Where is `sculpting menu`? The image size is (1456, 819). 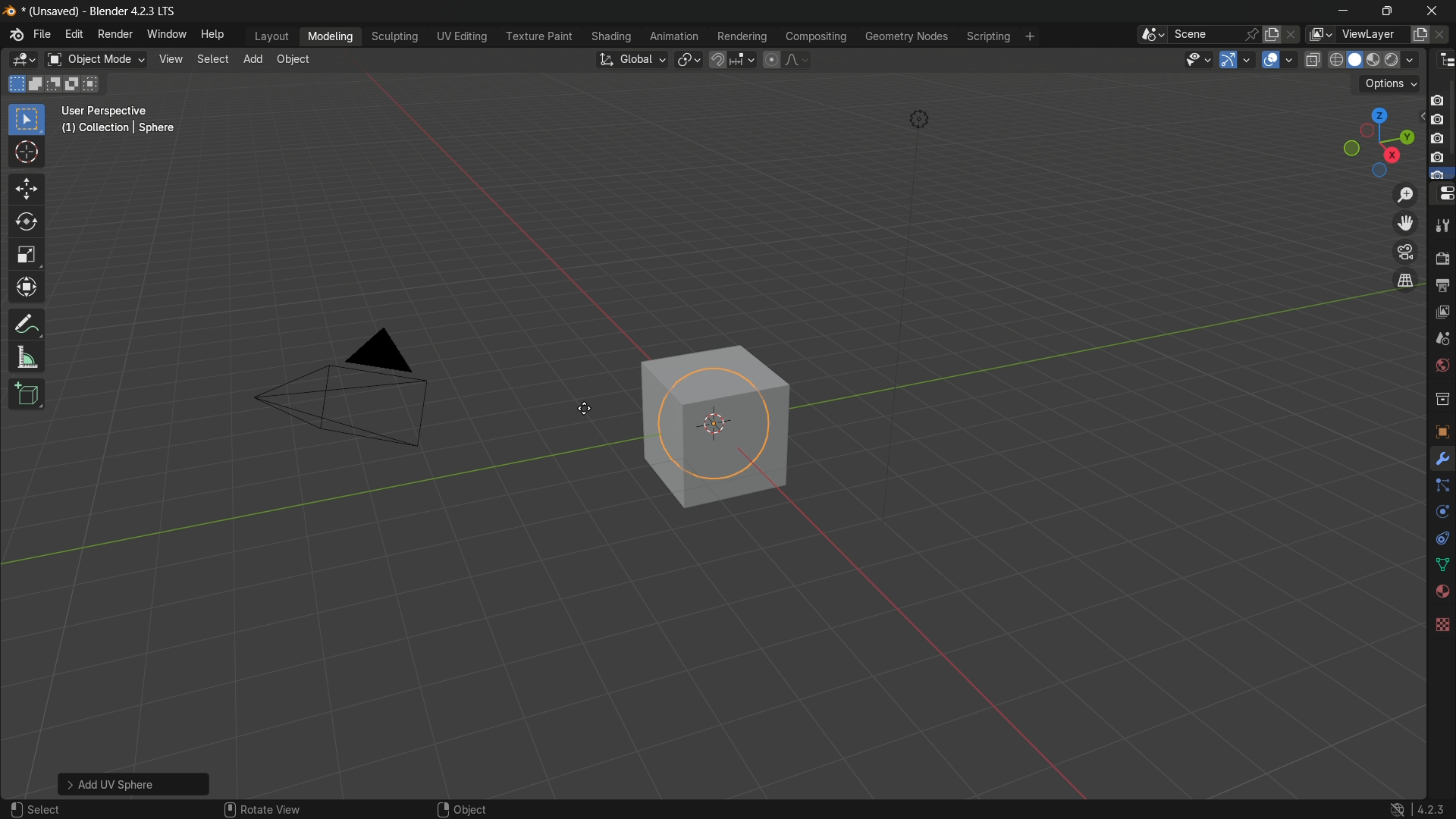
sculpting menu is located at coordinates (395, 36).